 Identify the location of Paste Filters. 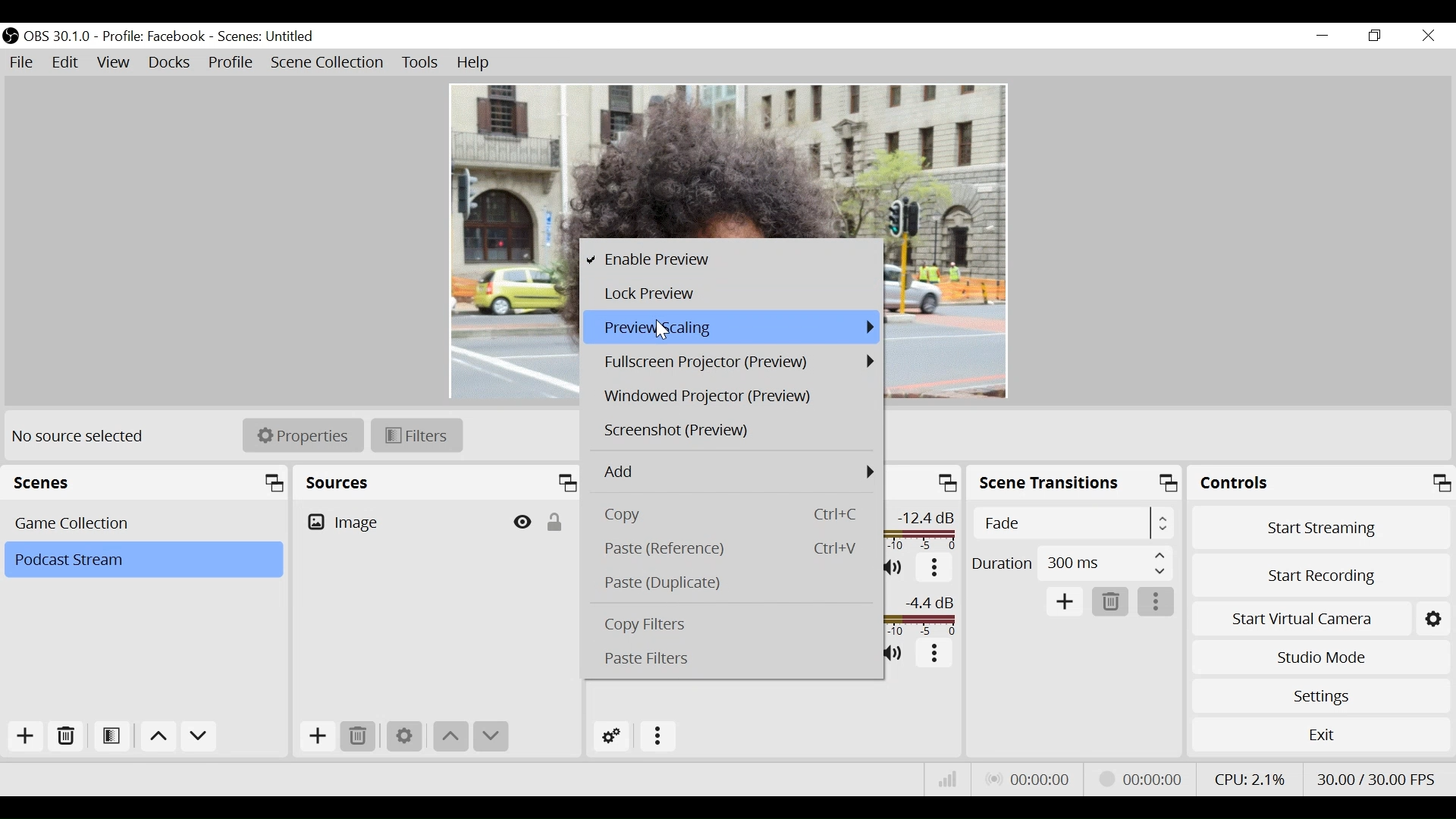
(731, 659).